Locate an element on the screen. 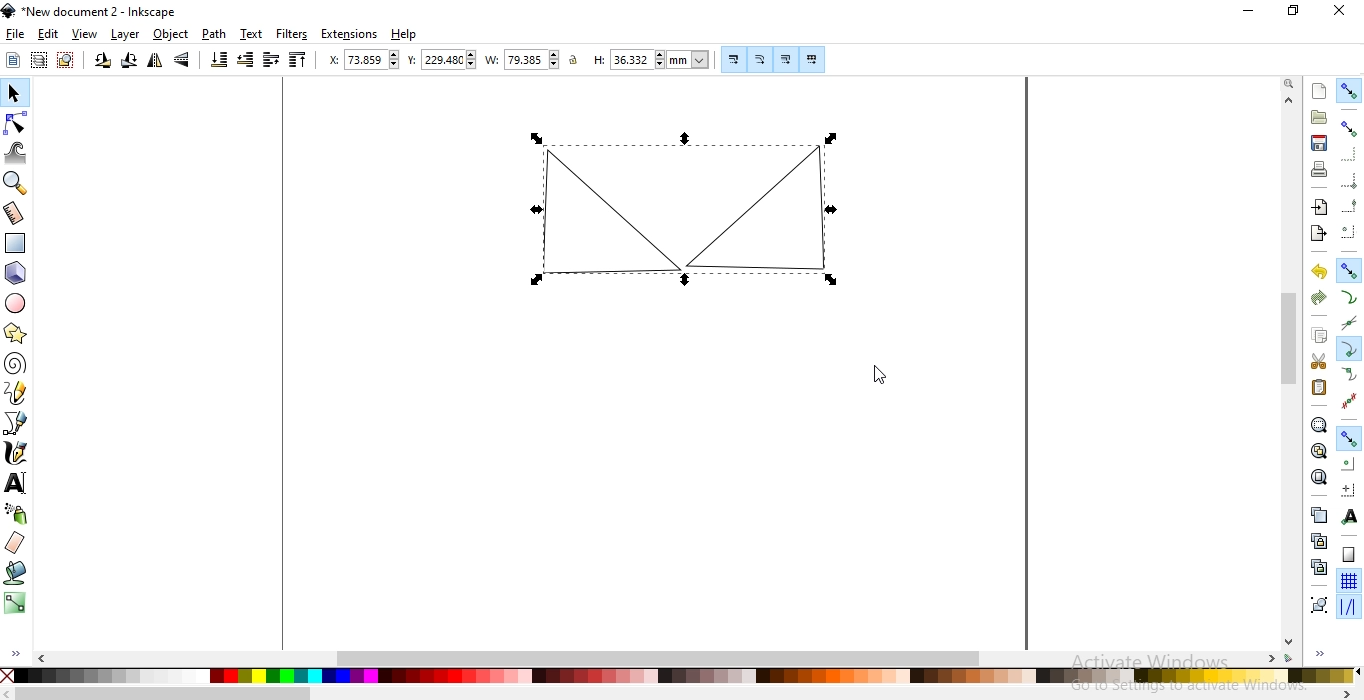 This screenshot has height=700, width=1364. path is located at coordinates (214, 34).